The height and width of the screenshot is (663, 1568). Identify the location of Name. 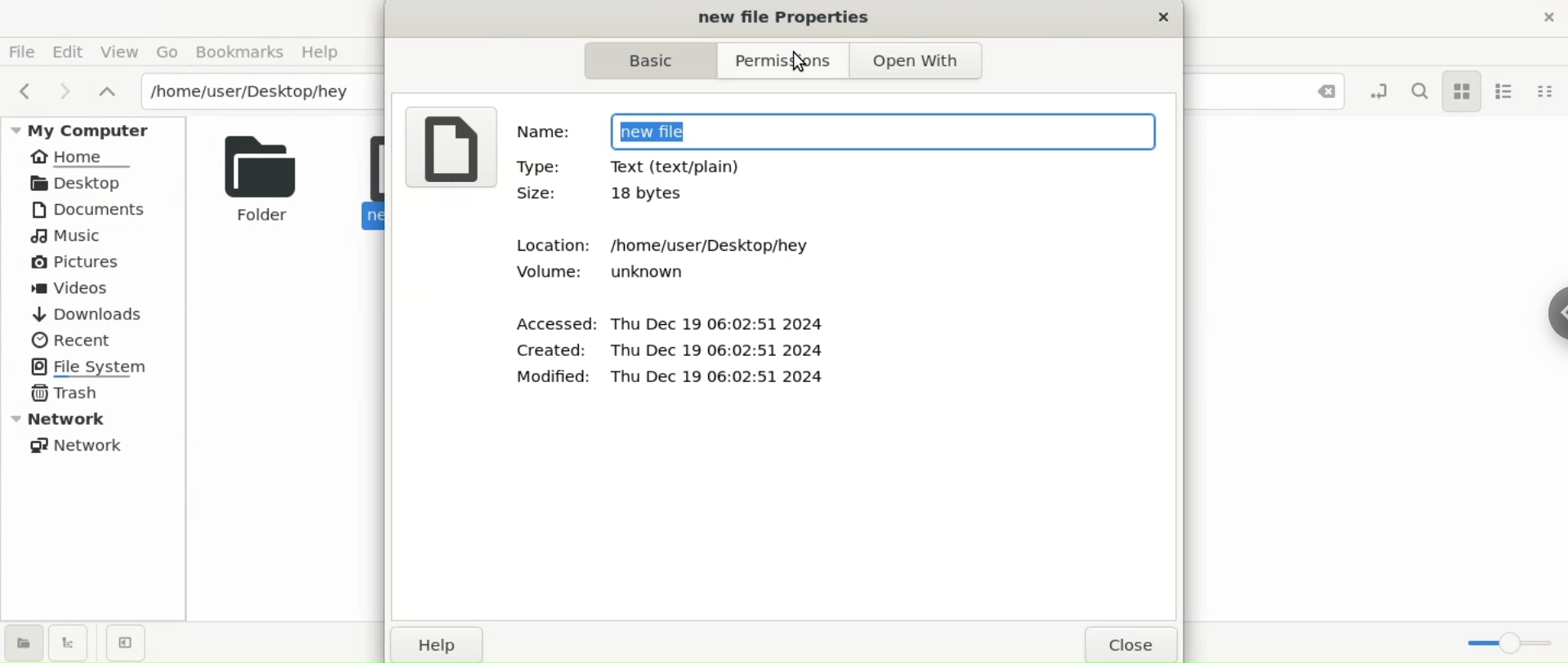
(541, 129).